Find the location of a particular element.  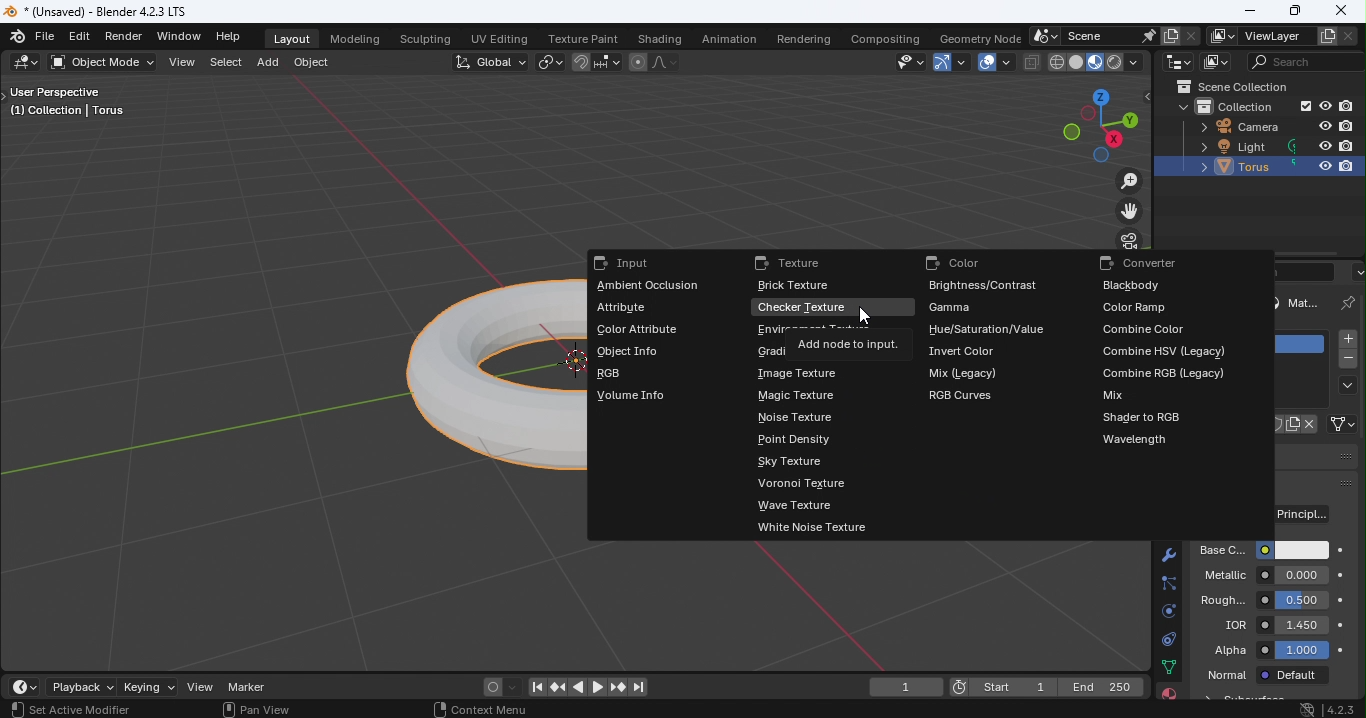

Options is located at coordinates (1357, 271).